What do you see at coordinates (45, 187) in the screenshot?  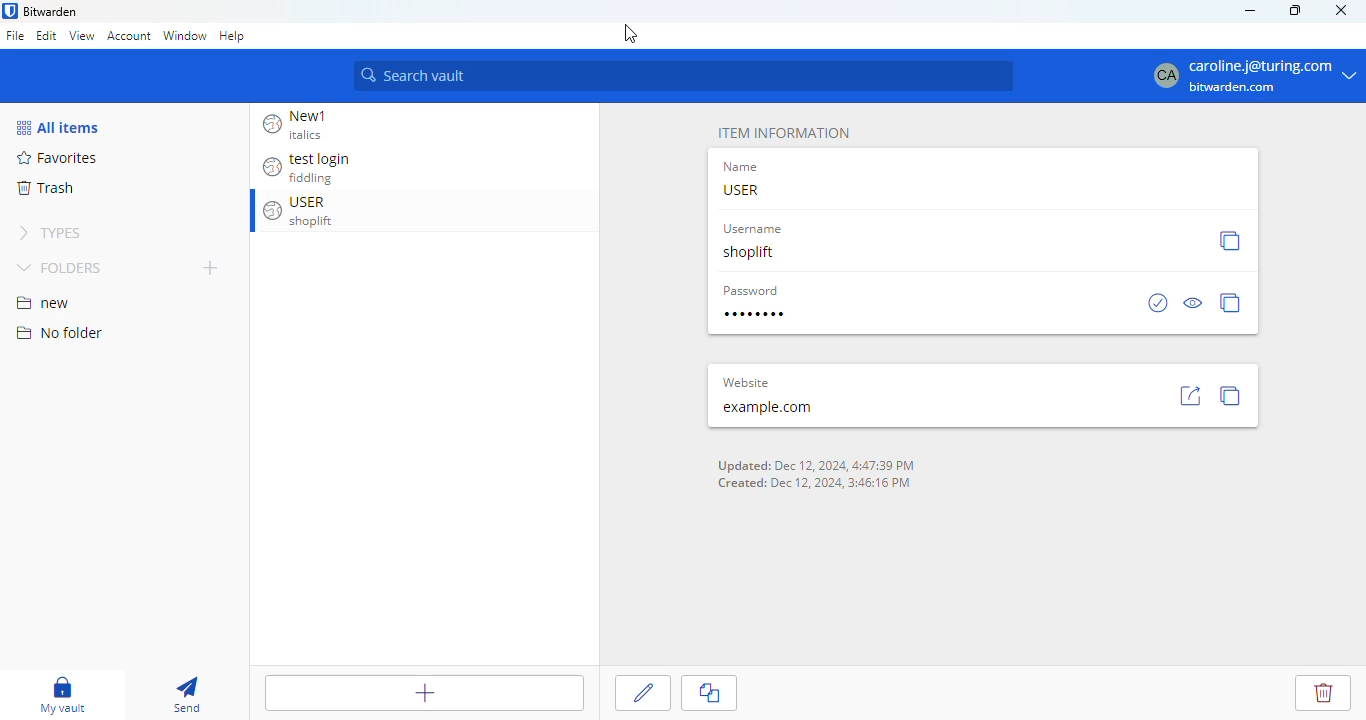 I see `trash` at bounding box center [45, 187].